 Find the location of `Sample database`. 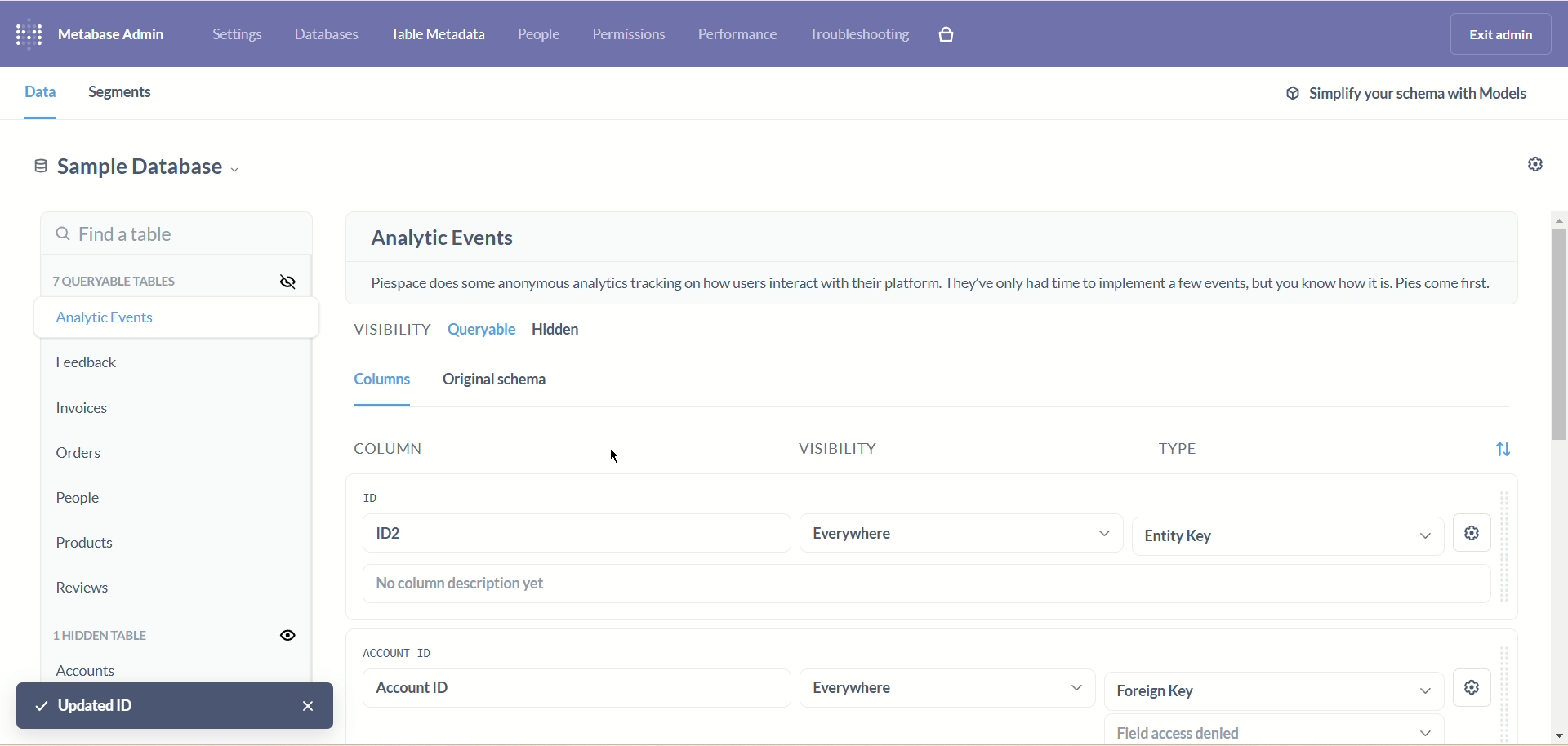

Sample database is located at coordinates (154, 168).